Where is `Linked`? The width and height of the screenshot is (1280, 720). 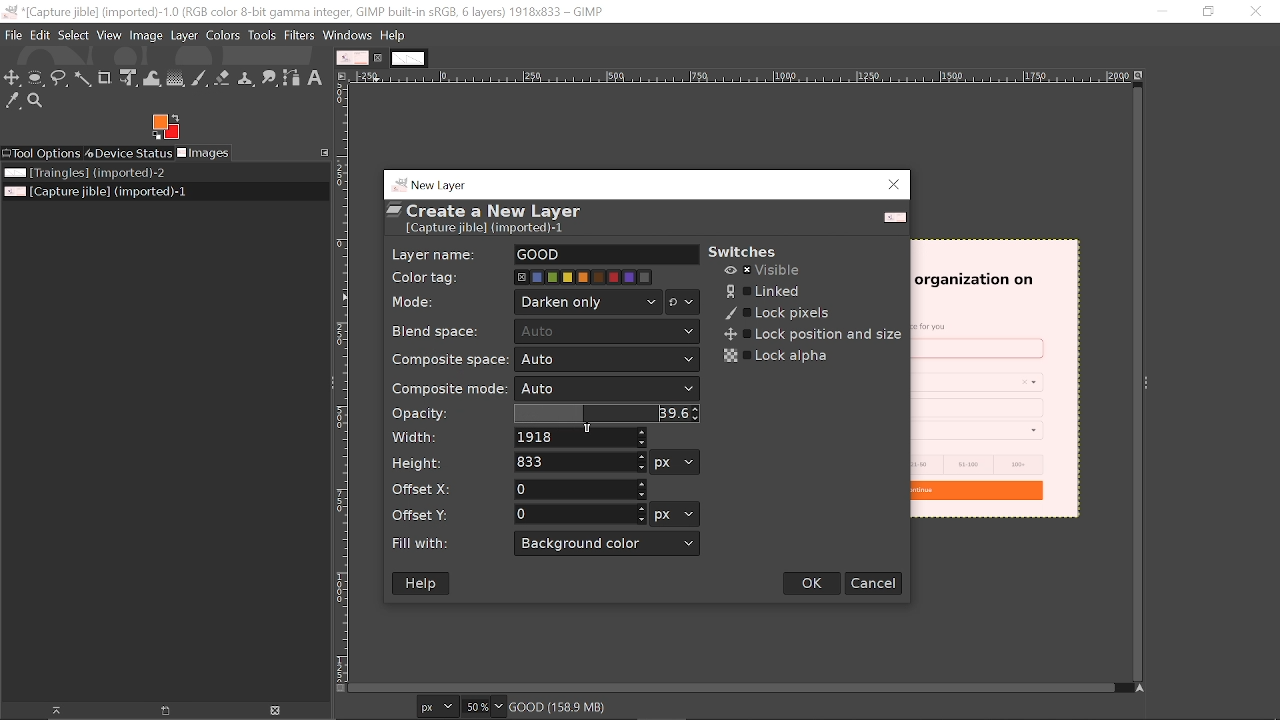 Linked is located at coordinates (765, 291).